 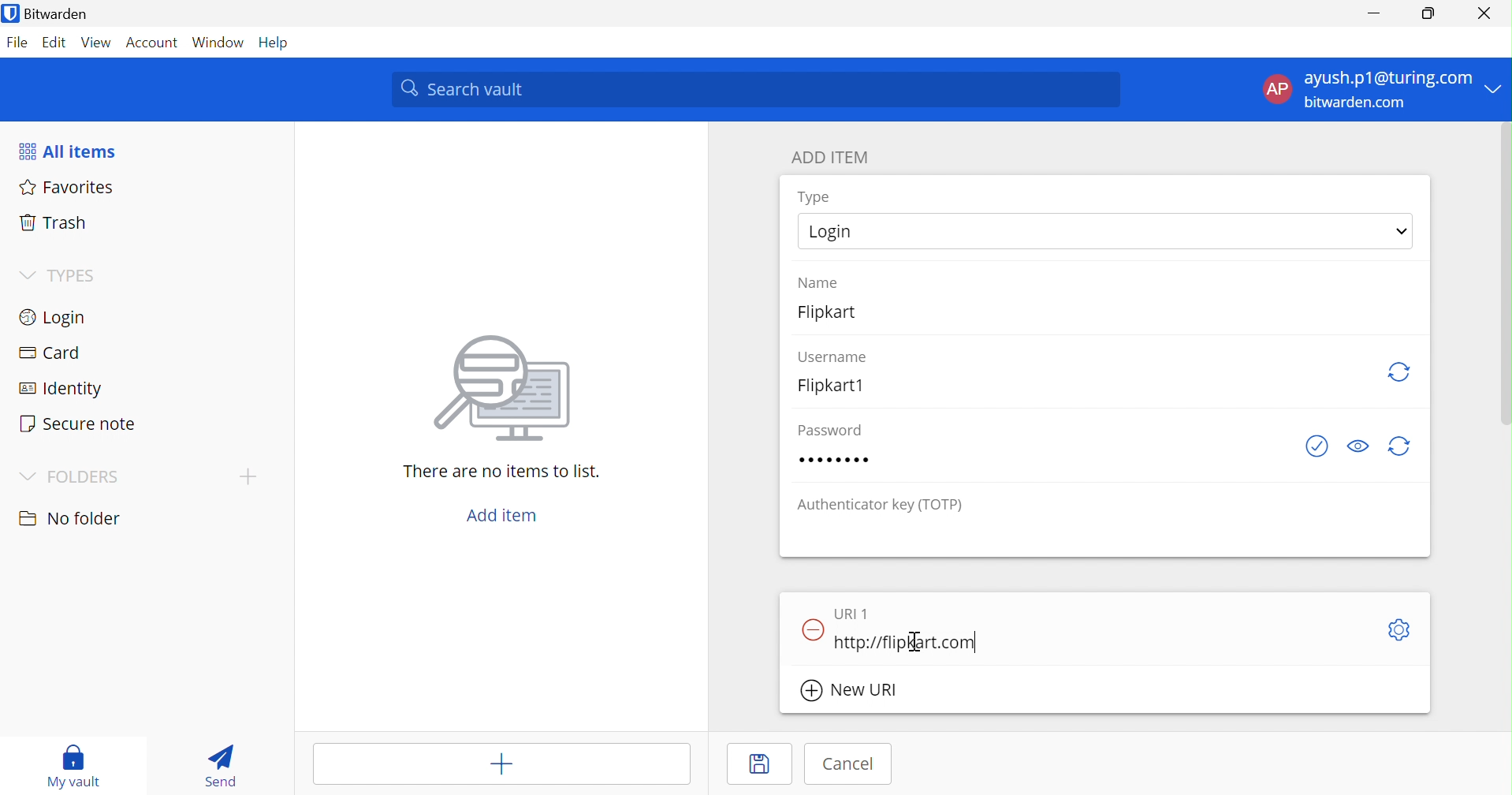 What do you see at coordinates (503, 473) in the screenshot?
I see `There are no items to list.` at bounding box center [503, 473].